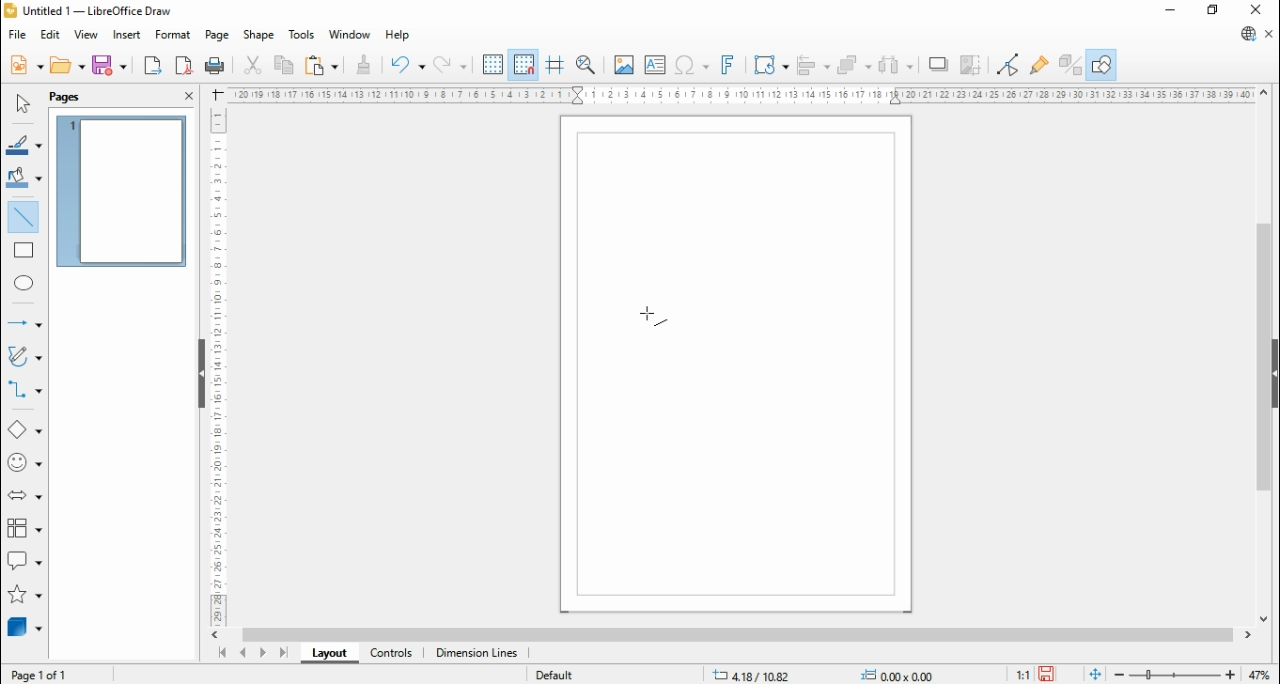 The width and height of the screenshot is (1280, 684). I want to click on curves and polygons, so click(26, 355).